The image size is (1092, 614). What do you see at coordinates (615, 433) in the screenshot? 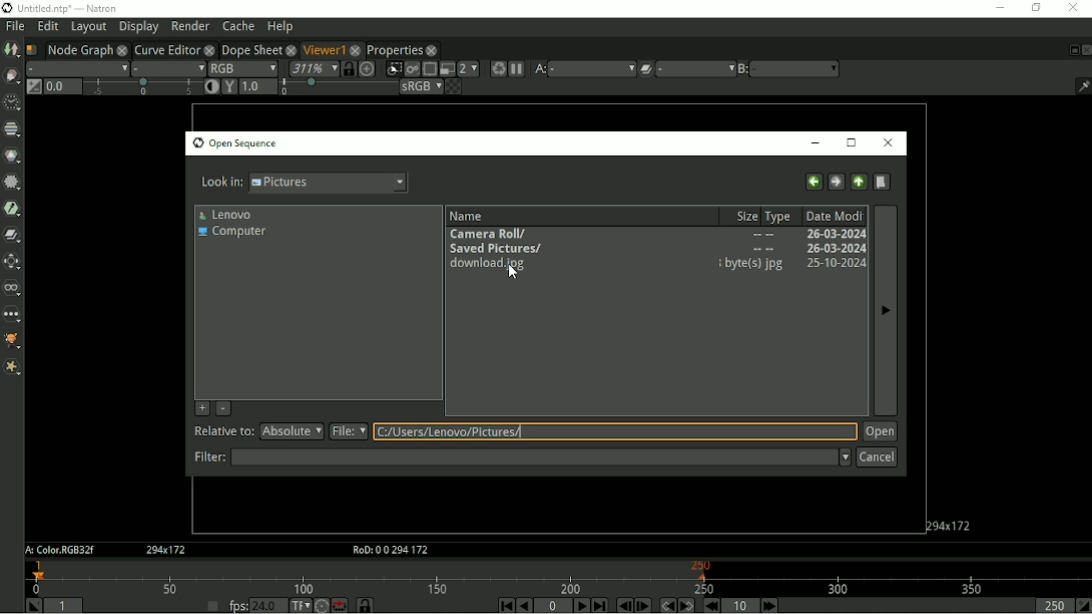
I see `Relative to` at bounding box center [615, 433].